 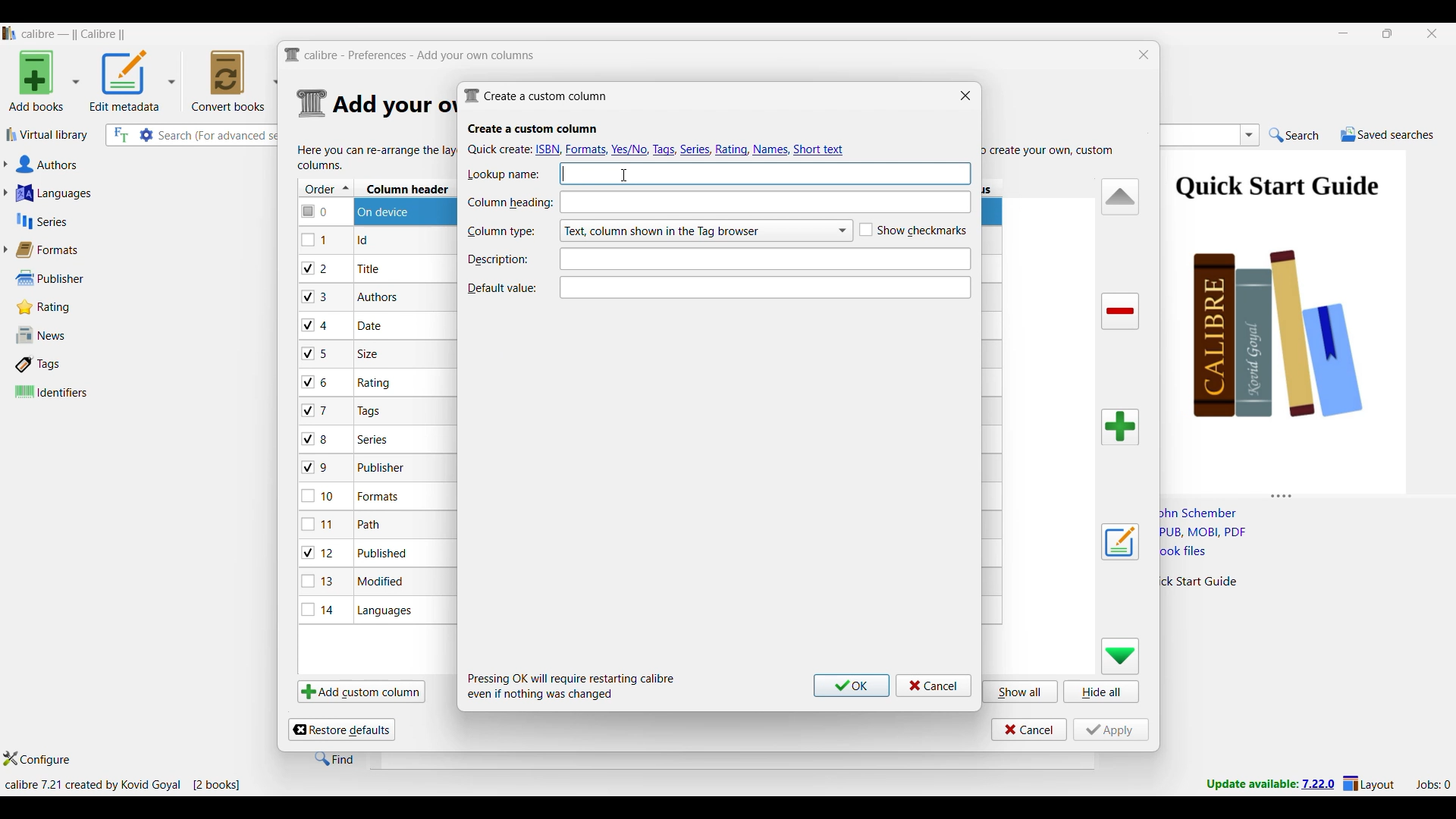 What do you see at coordinates (500, 232) in the screenshot?
I see `Indicates Column type text box` at bounding box center [500, 232].